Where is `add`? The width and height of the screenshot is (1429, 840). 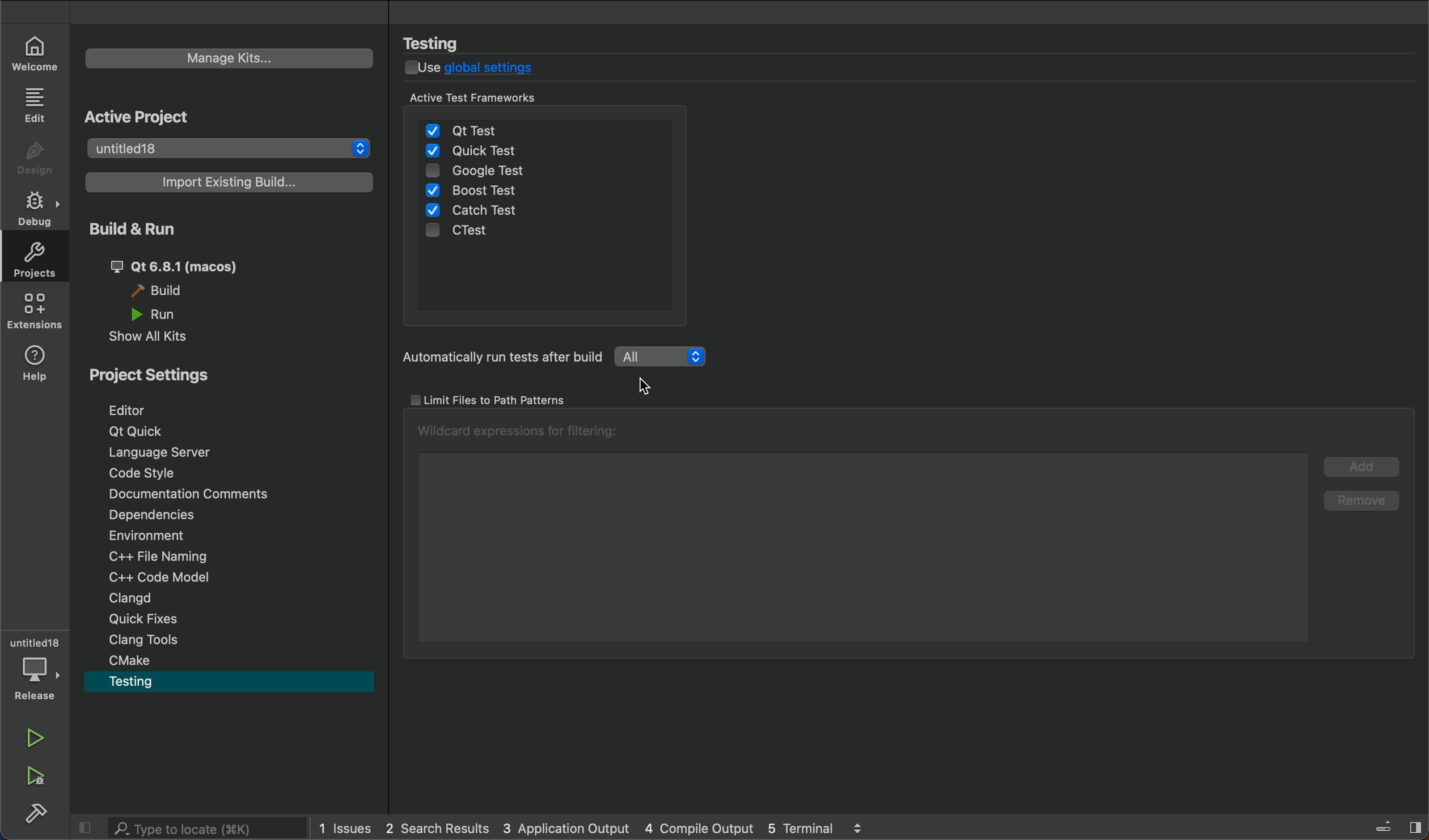 add is located at coordinates (1362, 465).